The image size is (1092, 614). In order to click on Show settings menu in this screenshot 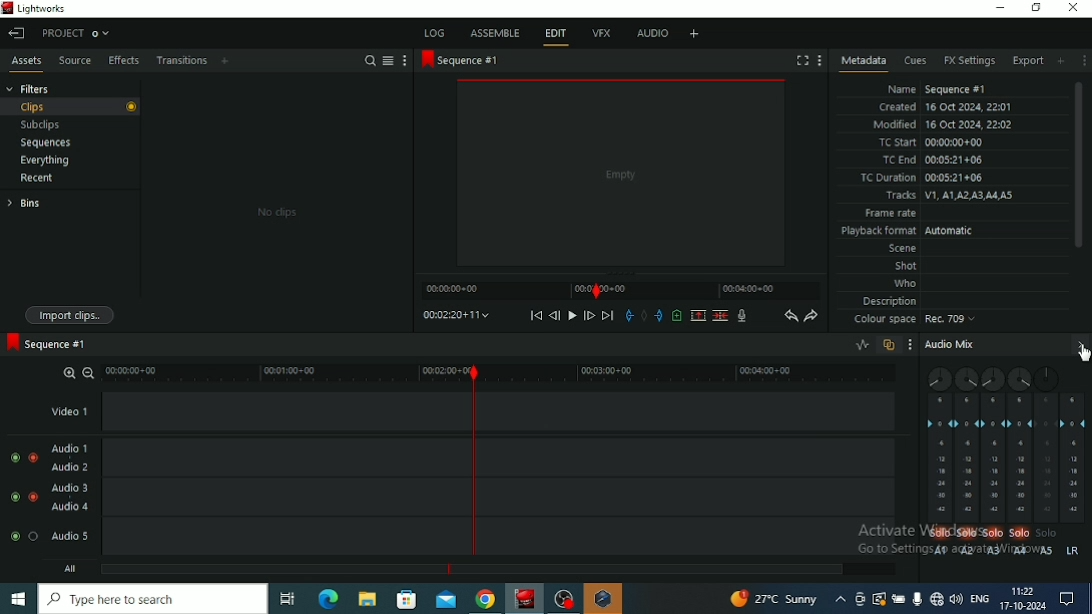, I will do `click(912, 344)`.